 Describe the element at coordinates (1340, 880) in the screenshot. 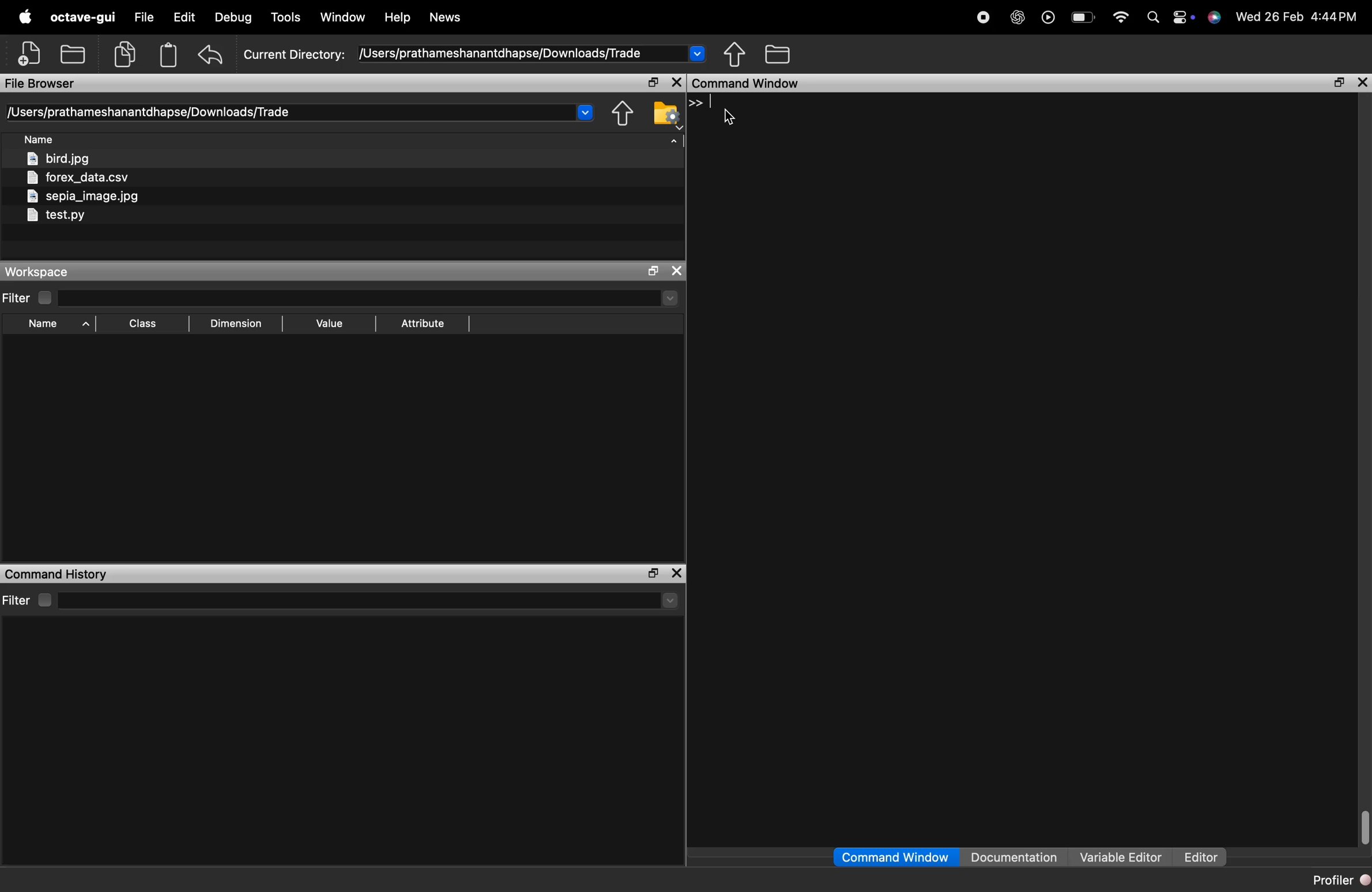

I see `Profiler` at that location.